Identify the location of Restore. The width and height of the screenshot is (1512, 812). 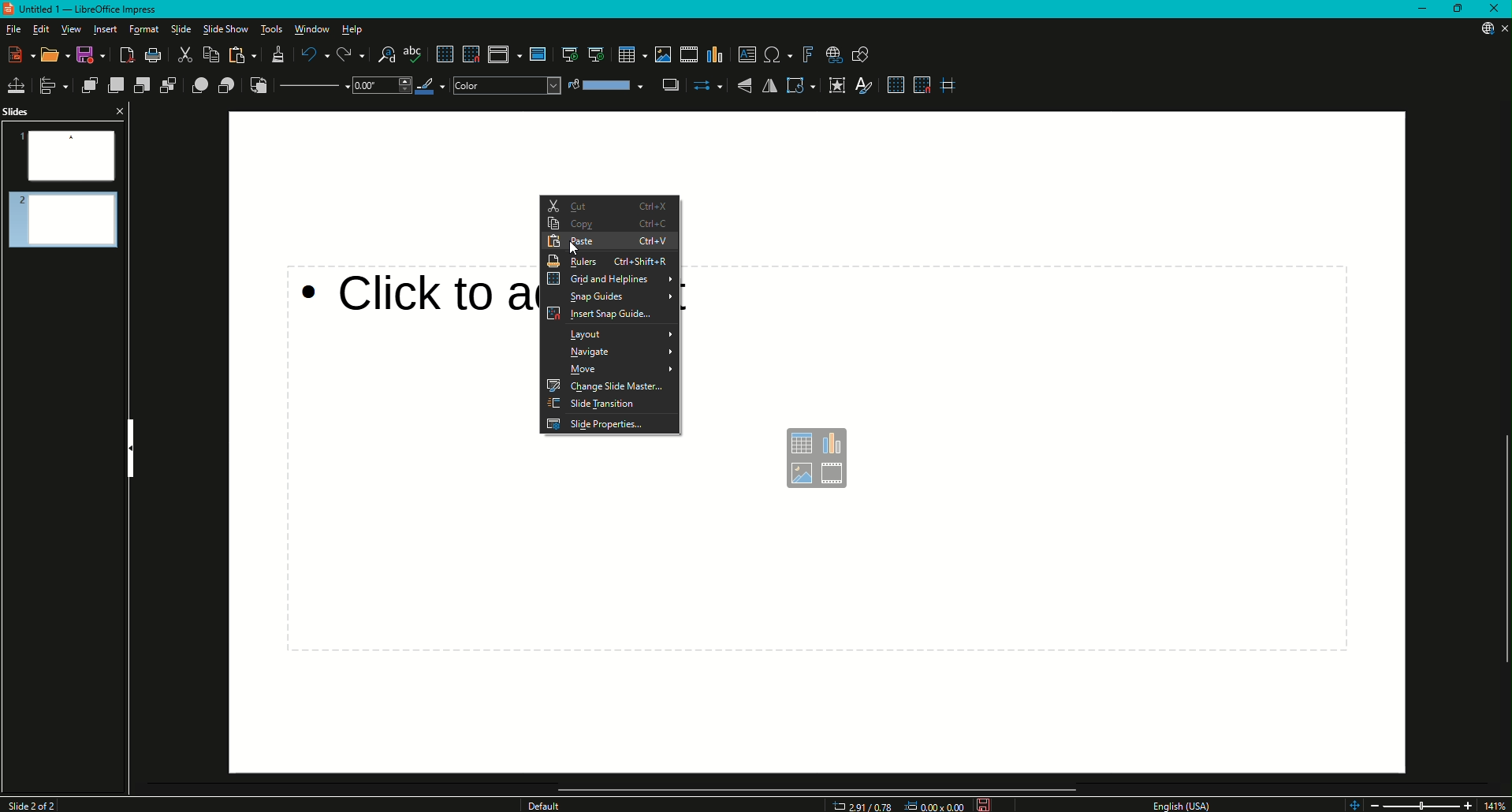
(1459, 9).